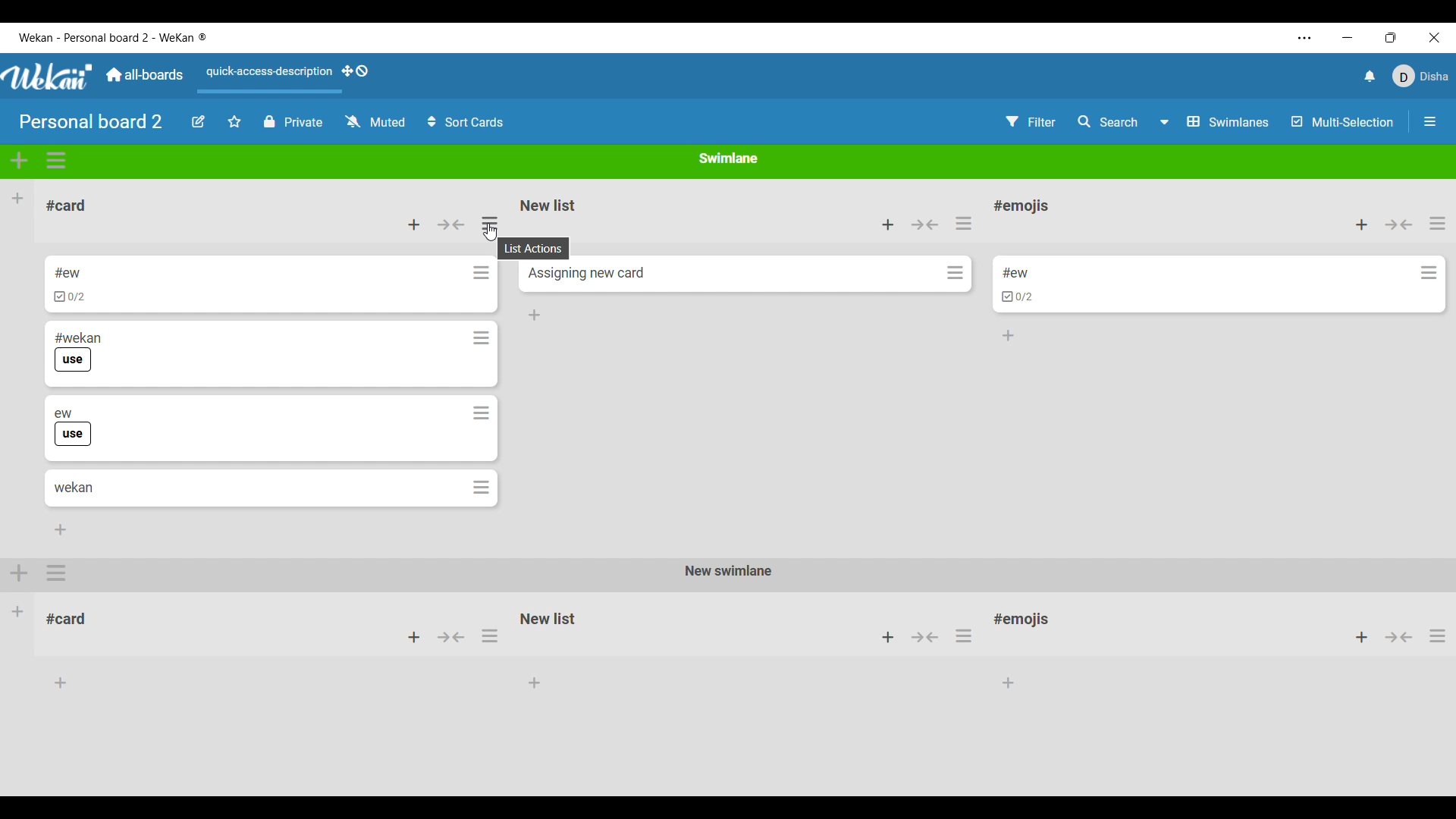 This screenshot has height=819, width=1456. Describe the element at coordinates (144, 75) in the screenshot. I see `Go to main dashboard` at that location.